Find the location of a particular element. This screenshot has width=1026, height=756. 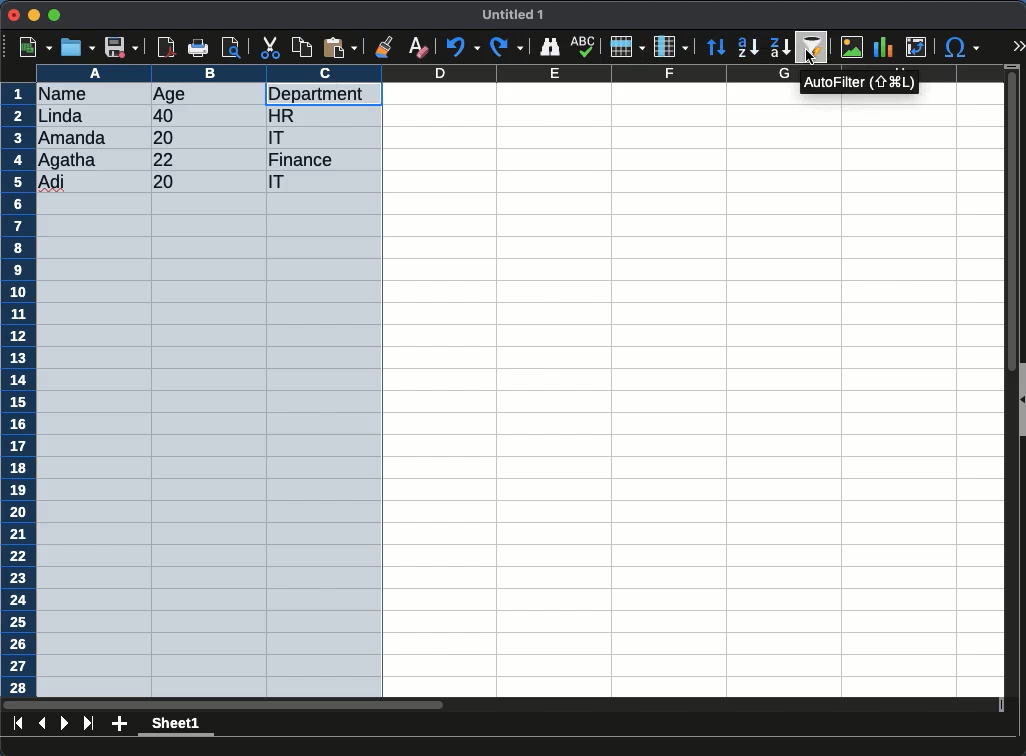

last page is located at coordinates (88, 725).